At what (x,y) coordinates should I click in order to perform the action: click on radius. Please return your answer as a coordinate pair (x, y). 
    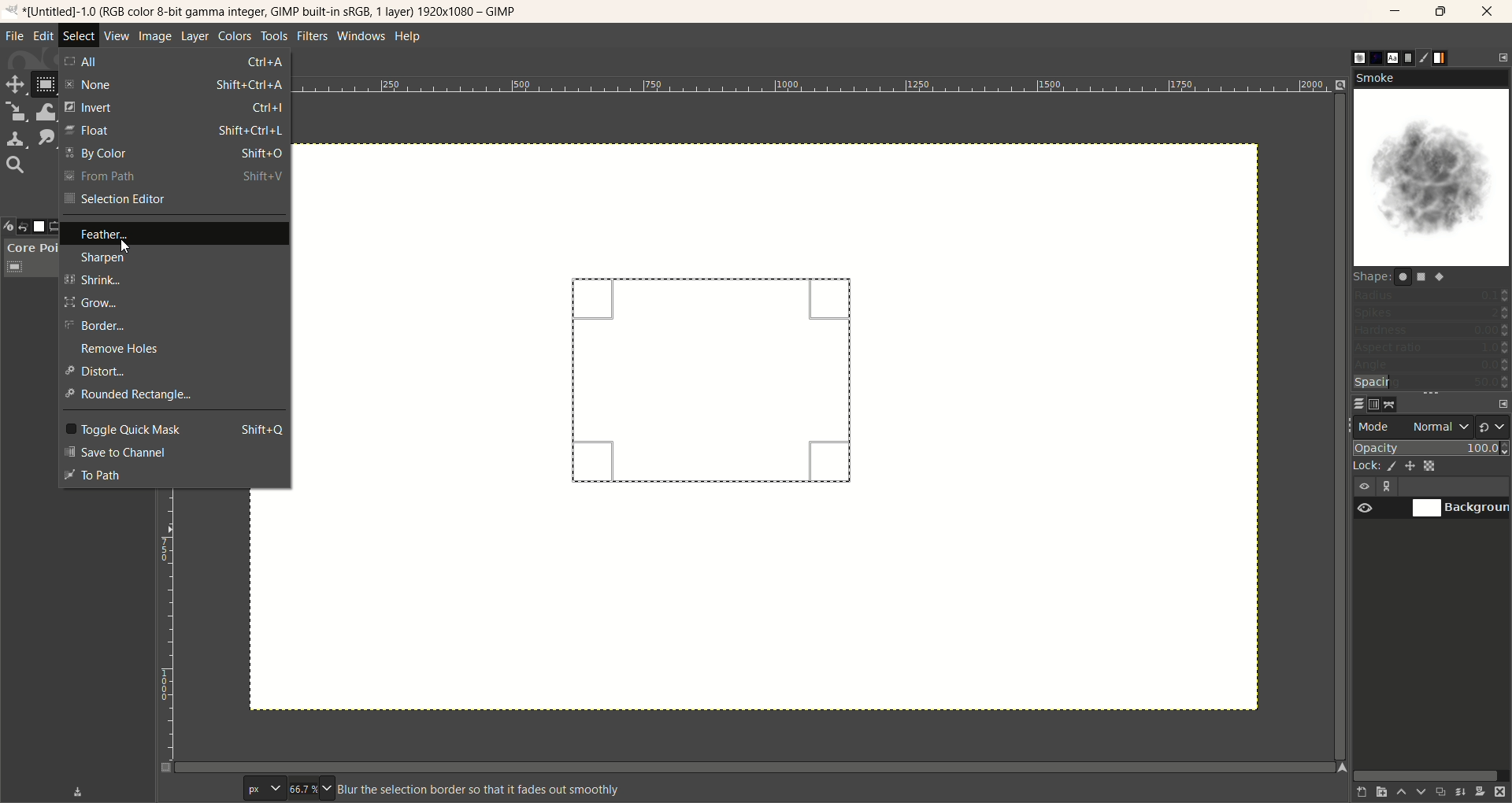
    Looking at the image, I should click on (1431, 296).